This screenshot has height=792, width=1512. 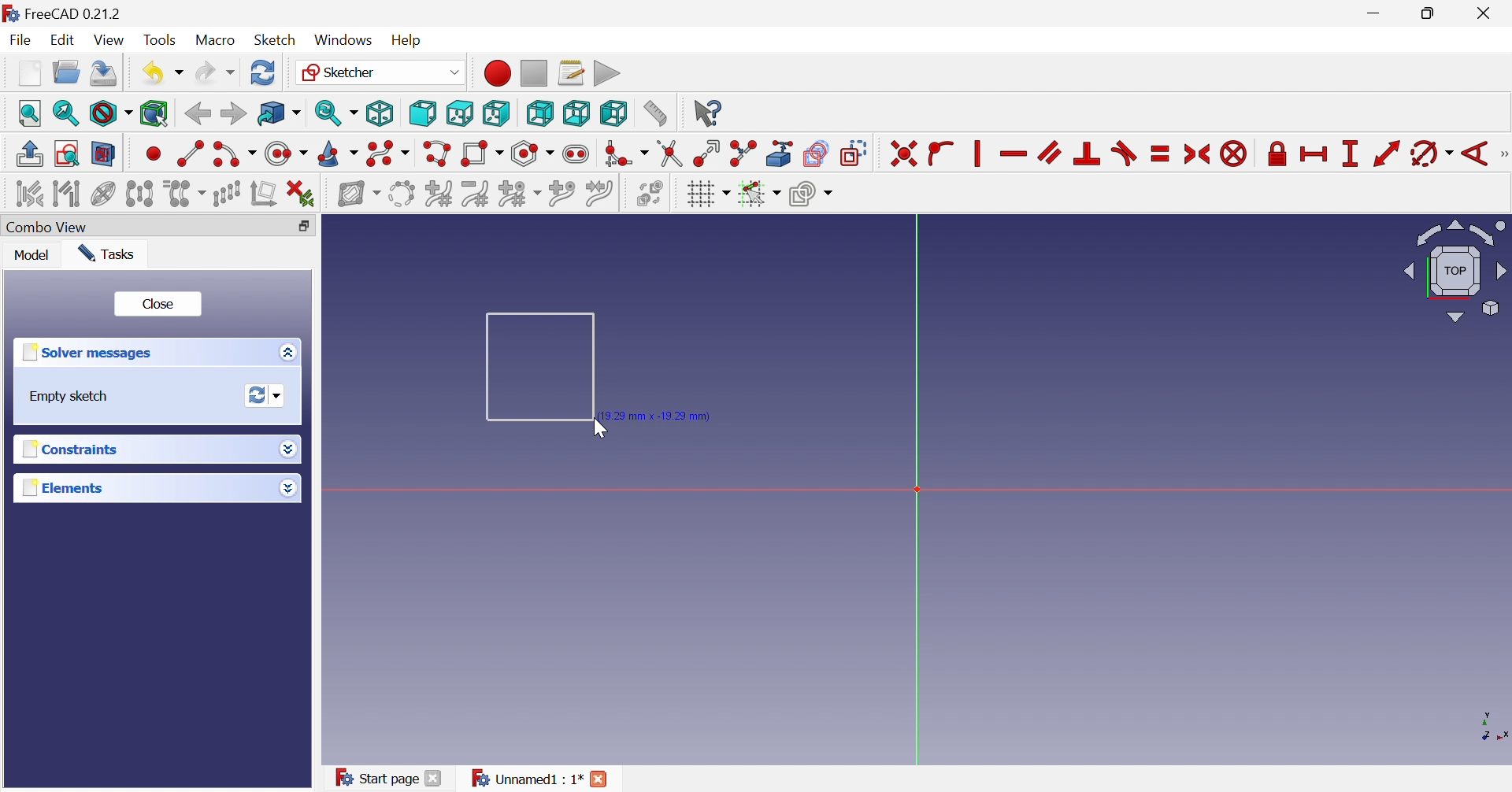 What do you see at coordinates (434, 778) in the screenshot?
I see `Close` at bounding box center [434, 778].